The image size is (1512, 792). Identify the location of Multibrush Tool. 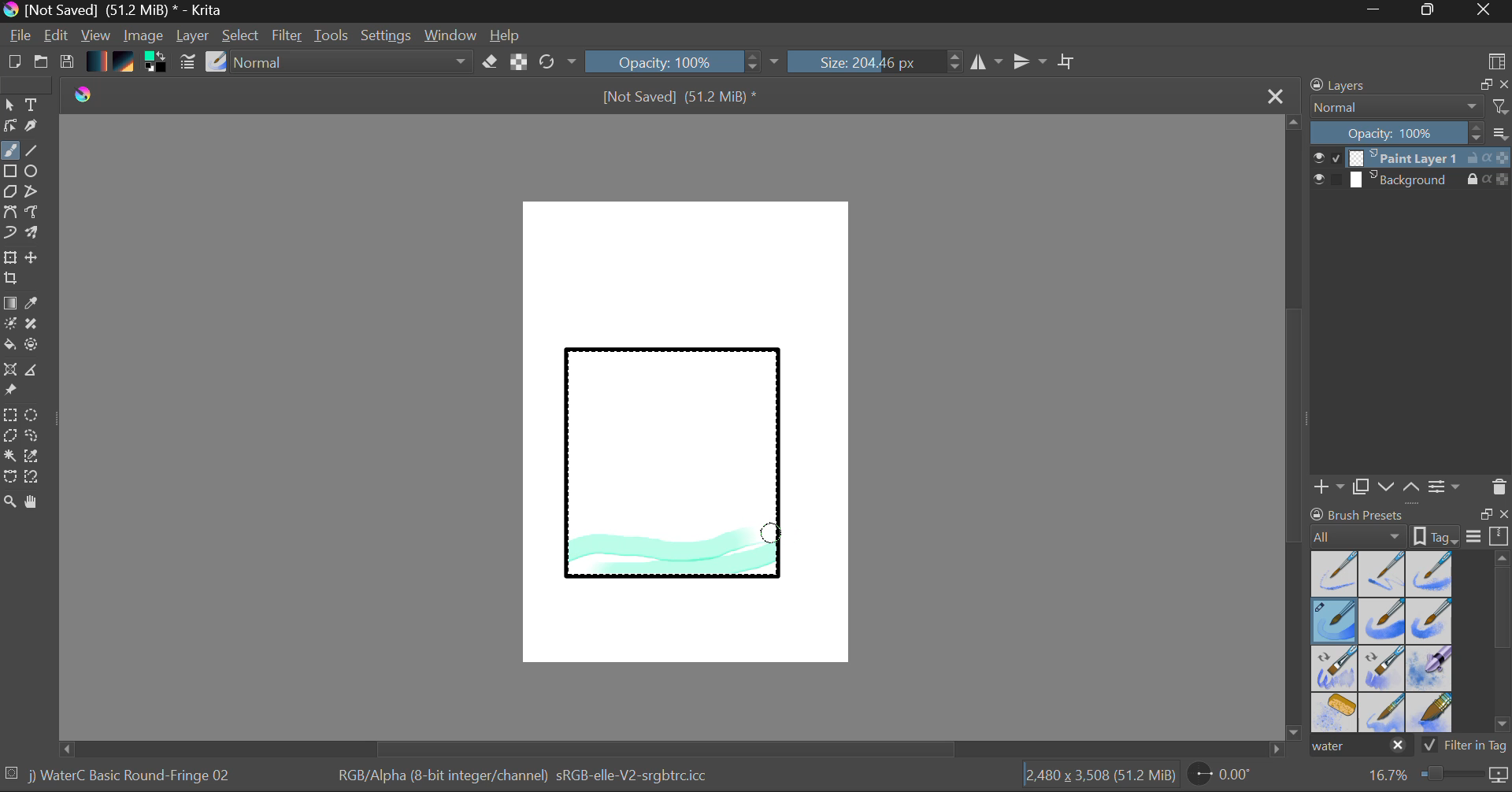
(33, 235).